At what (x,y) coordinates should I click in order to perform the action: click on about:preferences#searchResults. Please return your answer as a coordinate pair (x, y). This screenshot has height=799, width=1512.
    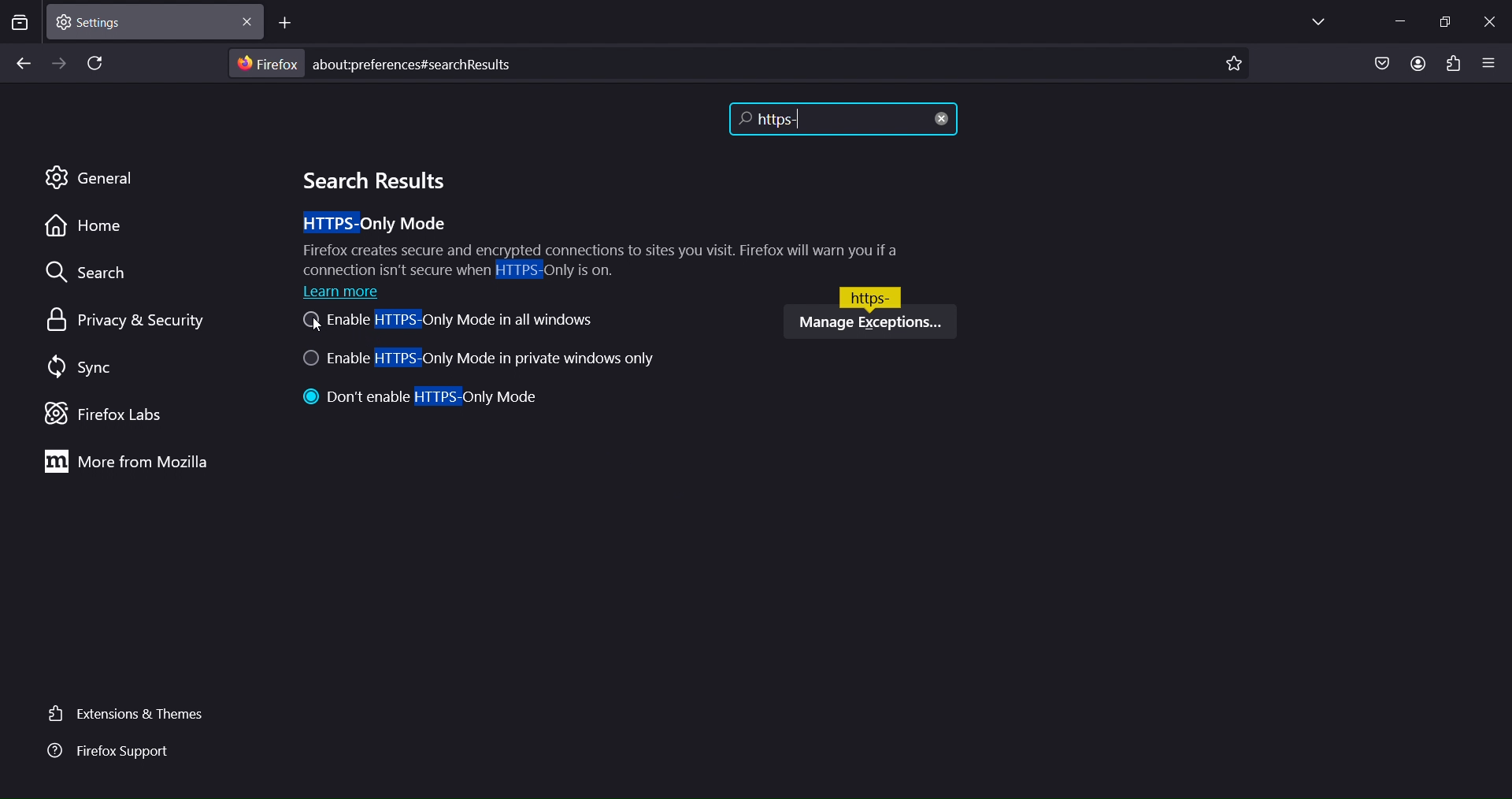
    Looking at the image, I should click on (428, 61).